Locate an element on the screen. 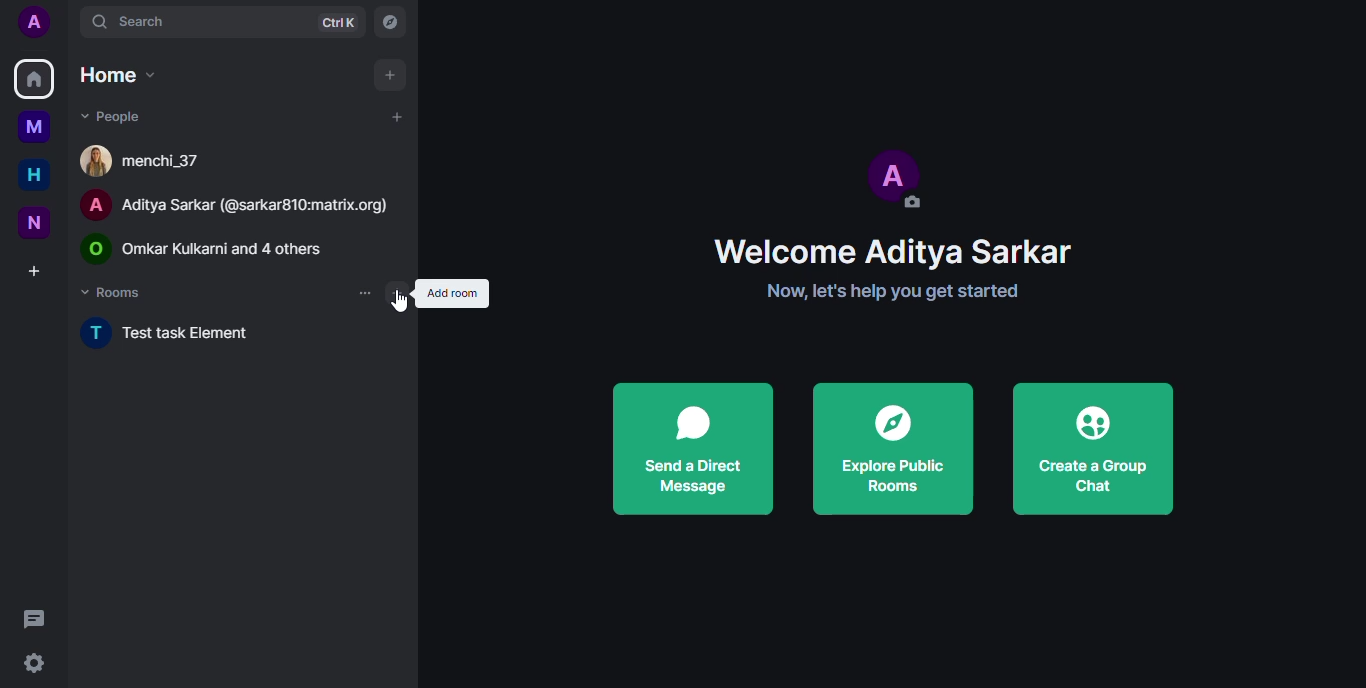  home is located at coordinates (117, 75).